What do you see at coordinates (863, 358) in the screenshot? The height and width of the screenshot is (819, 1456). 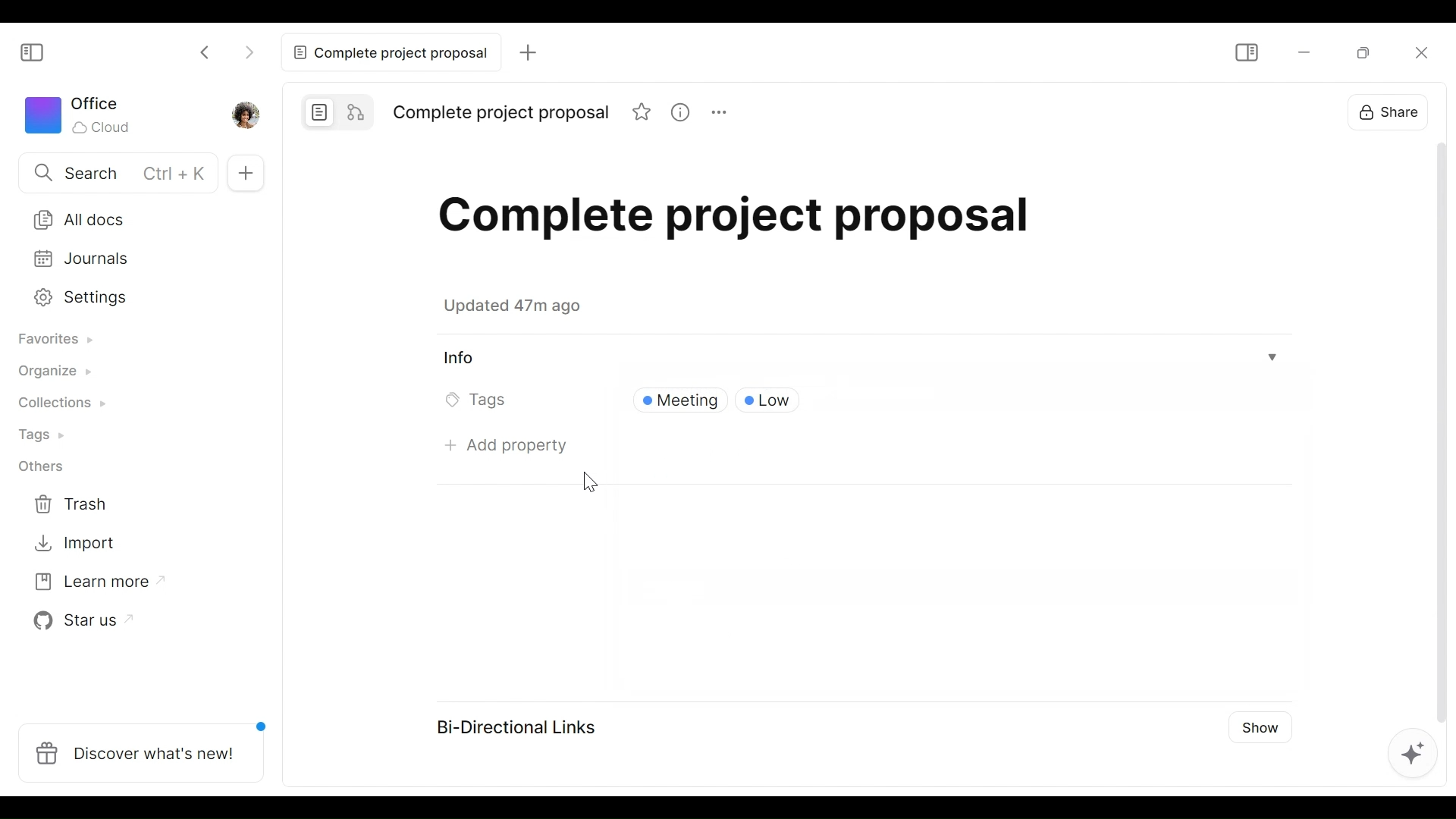 I see `View Info` at bounding box center [863, 358].